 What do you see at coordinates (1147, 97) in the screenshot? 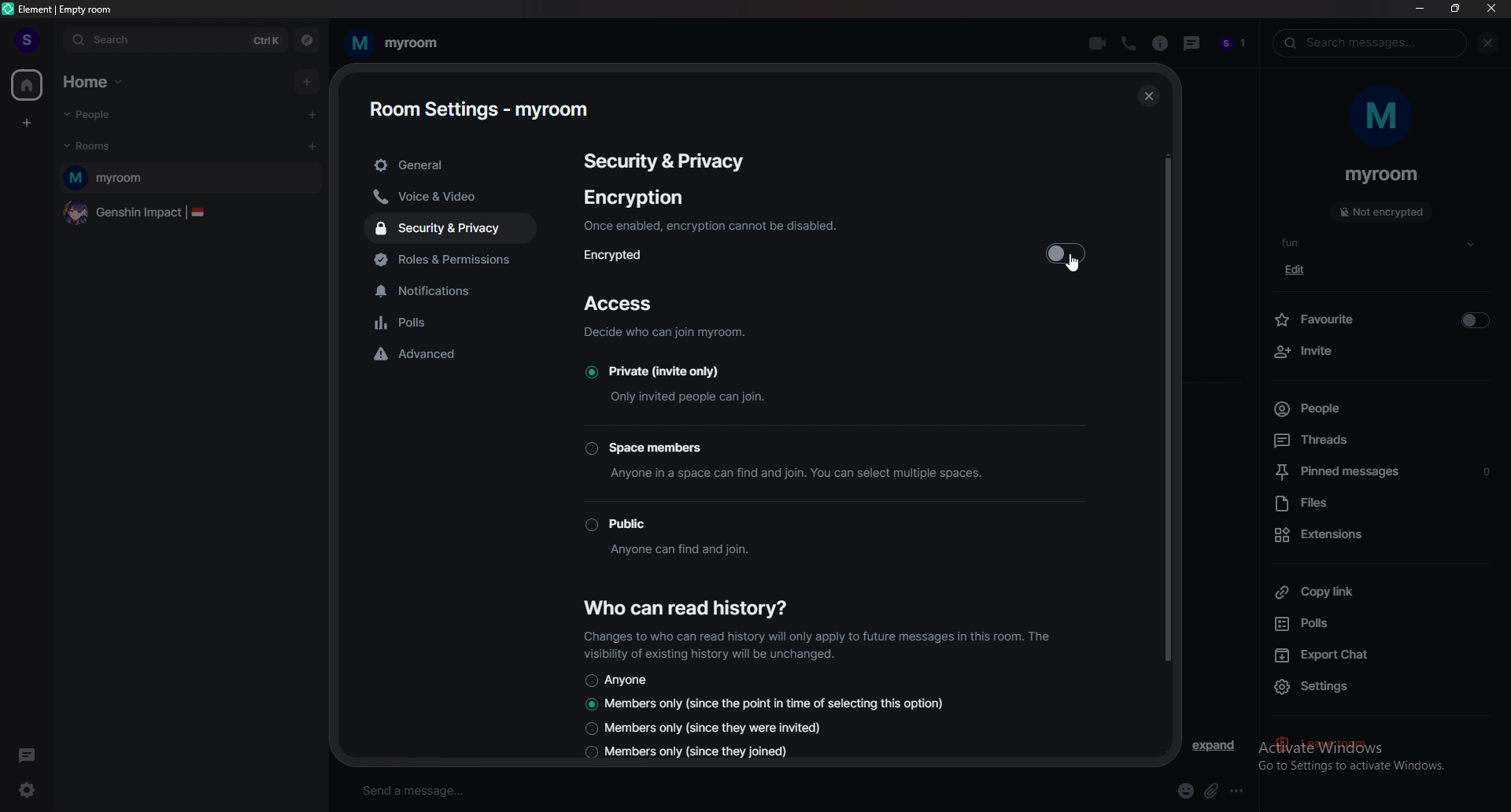
I see `close` at bounding box center [1147, 97].